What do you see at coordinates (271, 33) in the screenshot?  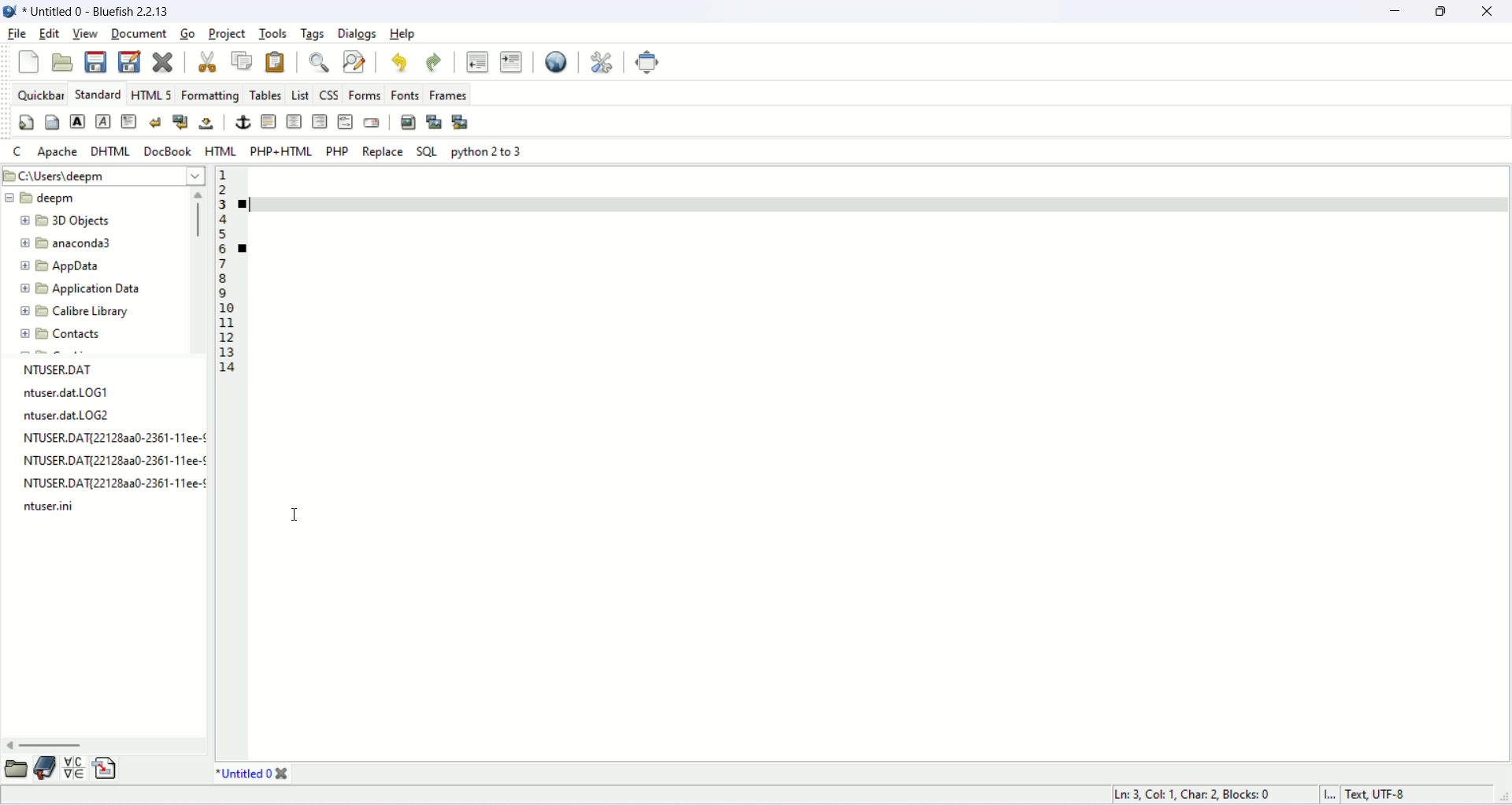 I see `tools` at bounding box center [271, 33].